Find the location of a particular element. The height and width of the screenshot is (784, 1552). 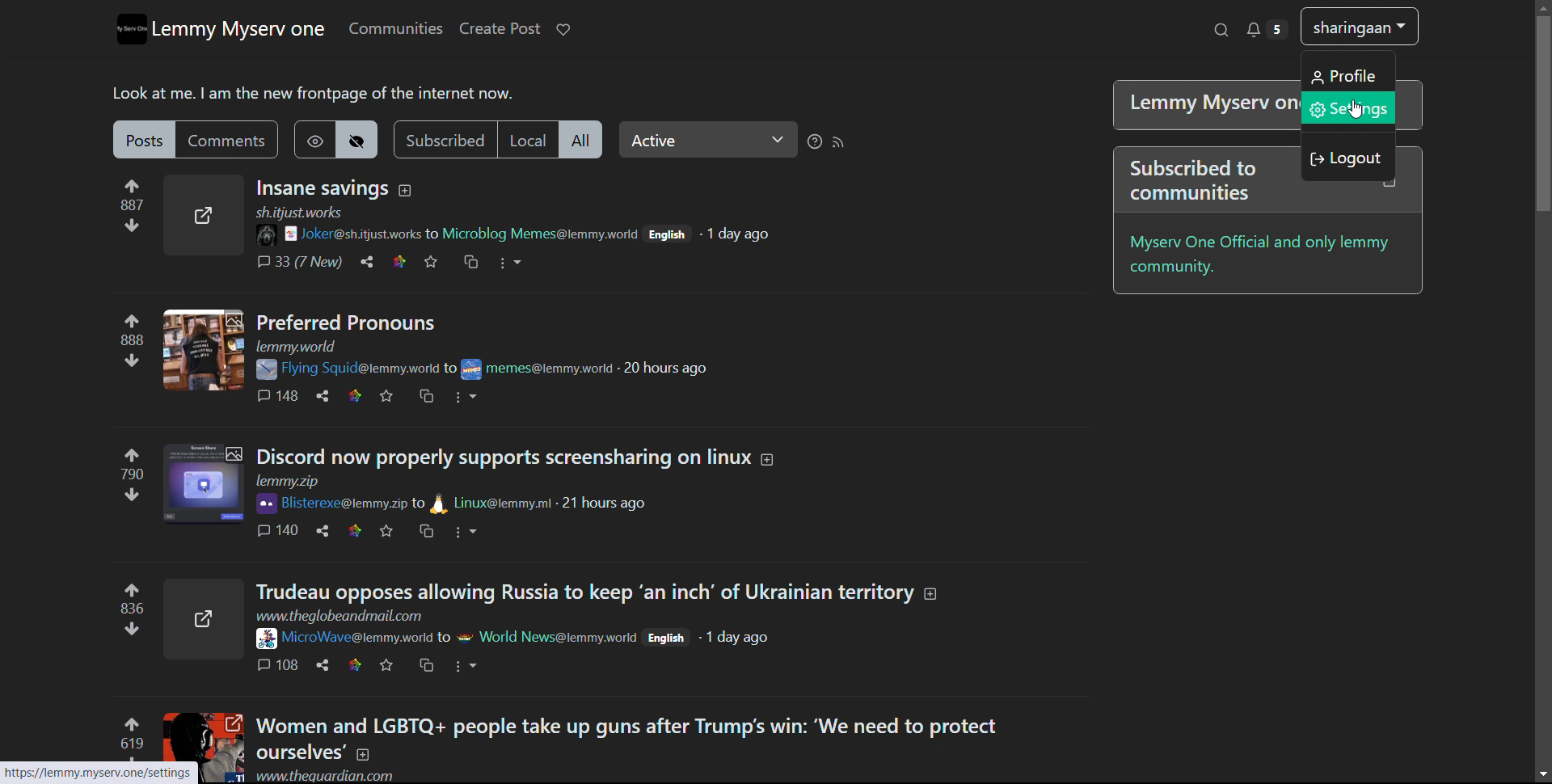

scroll down is located at coordinates (1542, 775).